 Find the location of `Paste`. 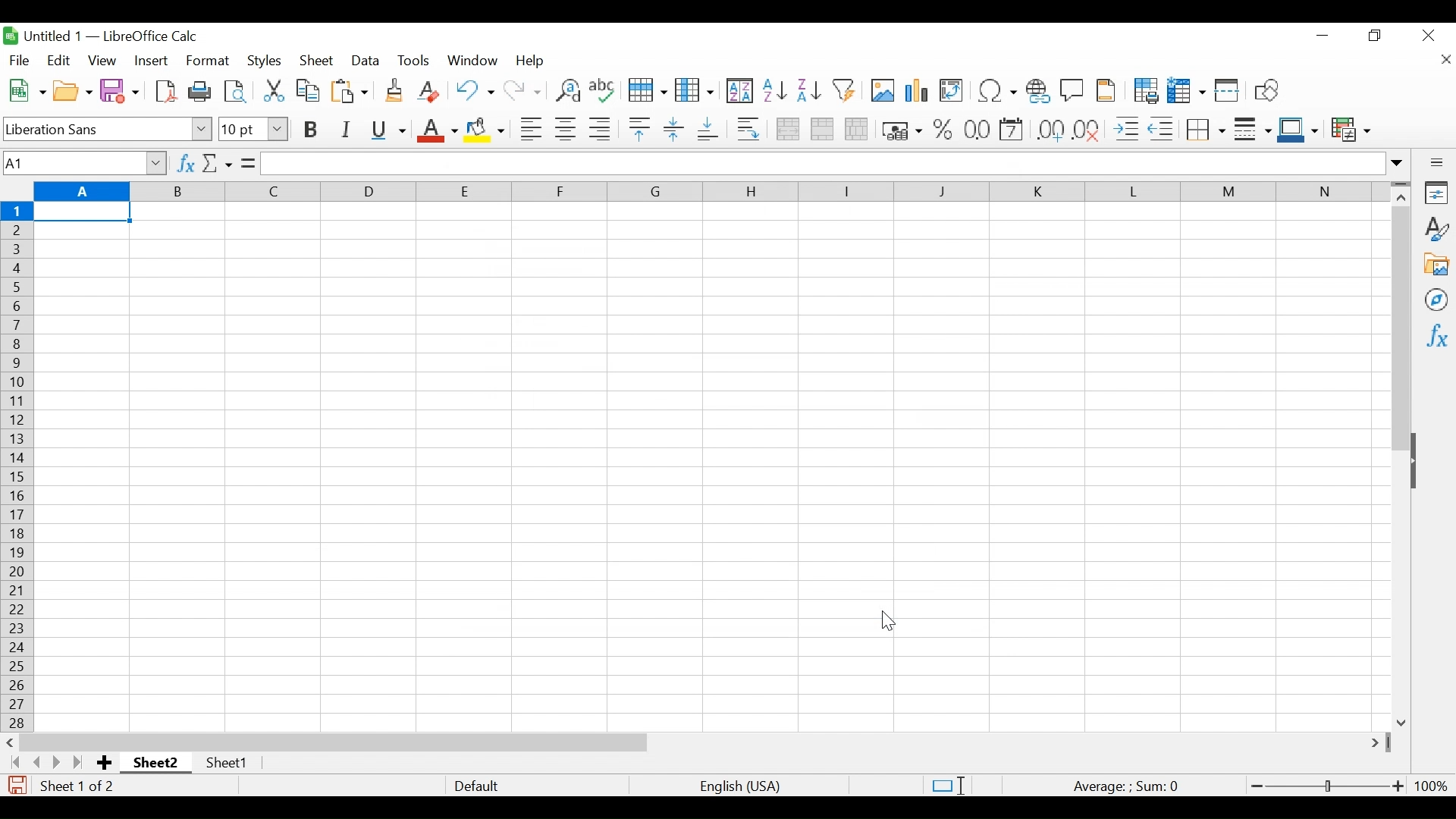

Paste is located at coordinates (349, 91).